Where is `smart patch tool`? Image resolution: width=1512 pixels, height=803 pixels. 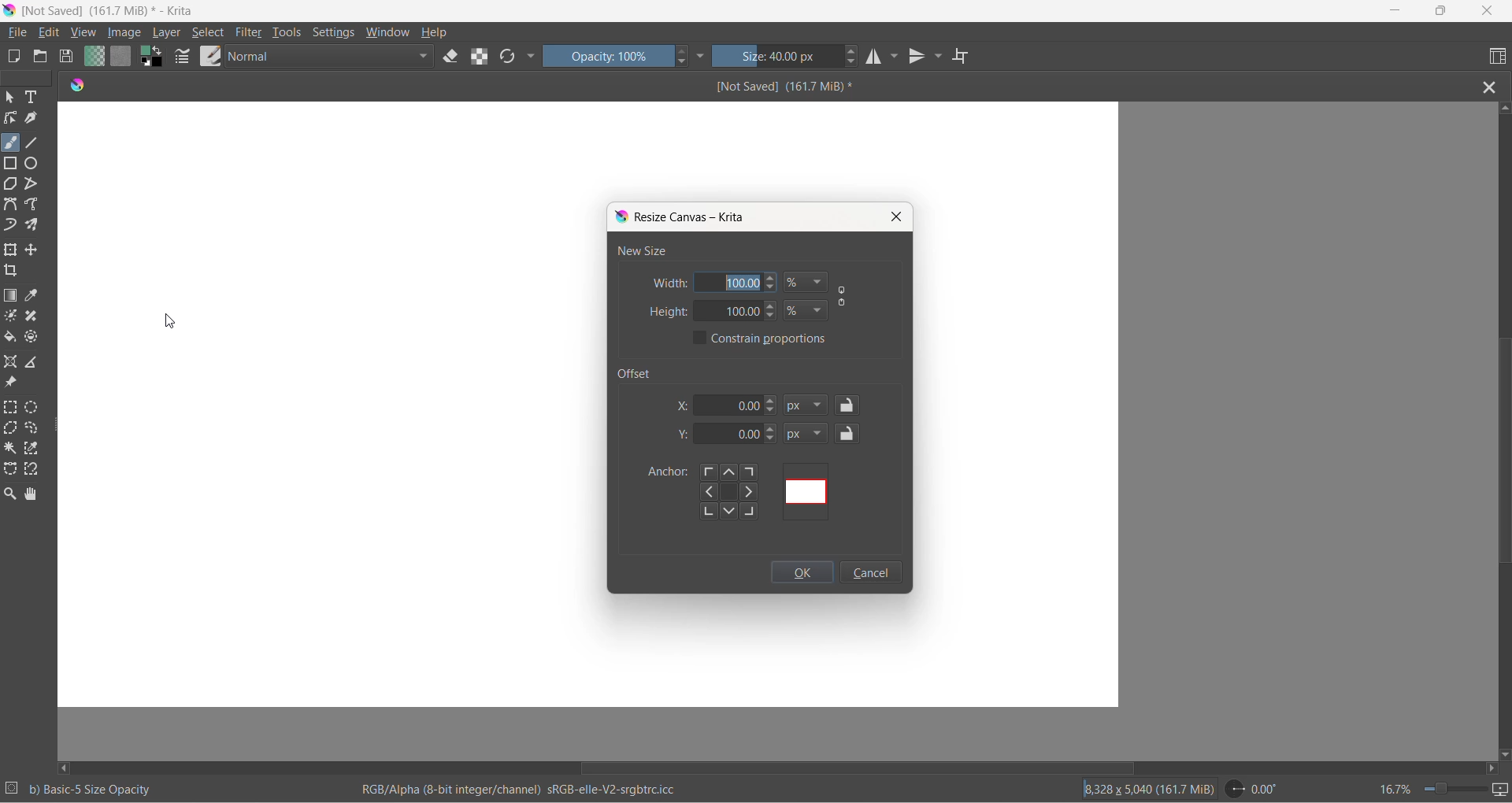 smart patch tool is located at coordinates (36, 317).